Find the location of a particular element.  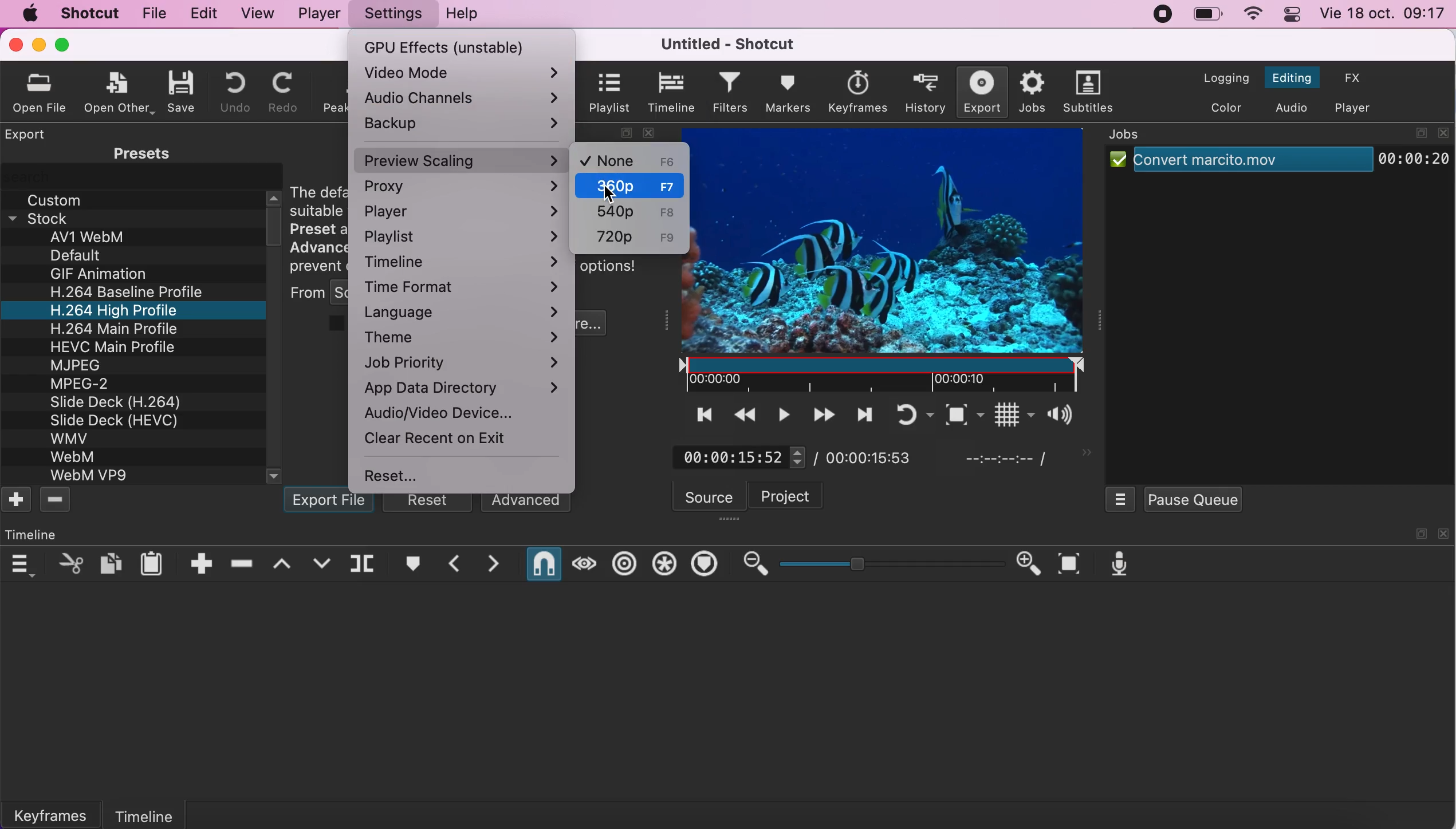

360p is located at coordinates (632, 187).